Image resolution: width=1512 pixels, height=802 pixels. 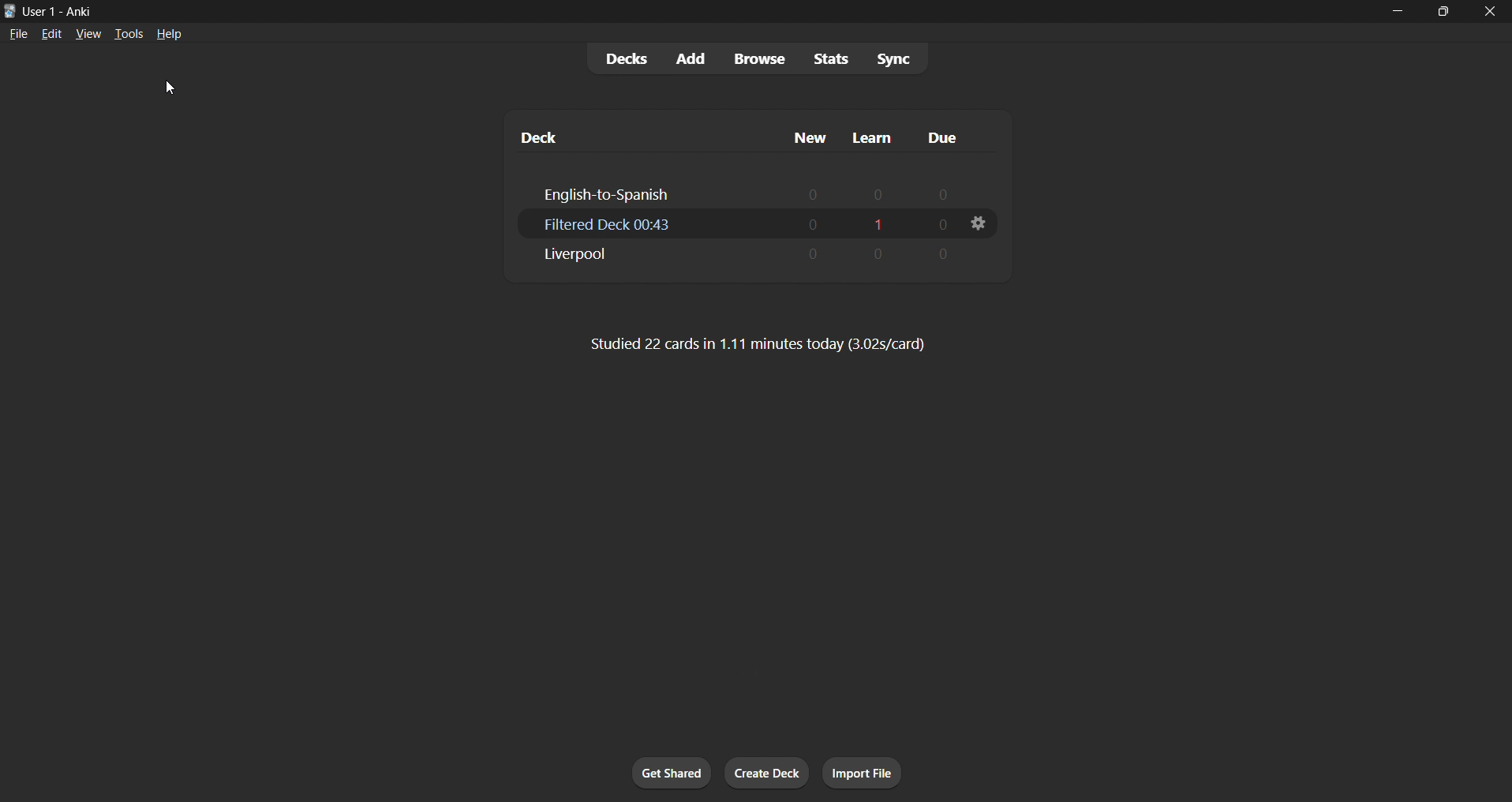 What do you see at coordinates (769, 346) in the screenshot?
I see `Studied 22 cards in 1.11 minutes today (3.02s/card)` at bounding box center [769, 346].